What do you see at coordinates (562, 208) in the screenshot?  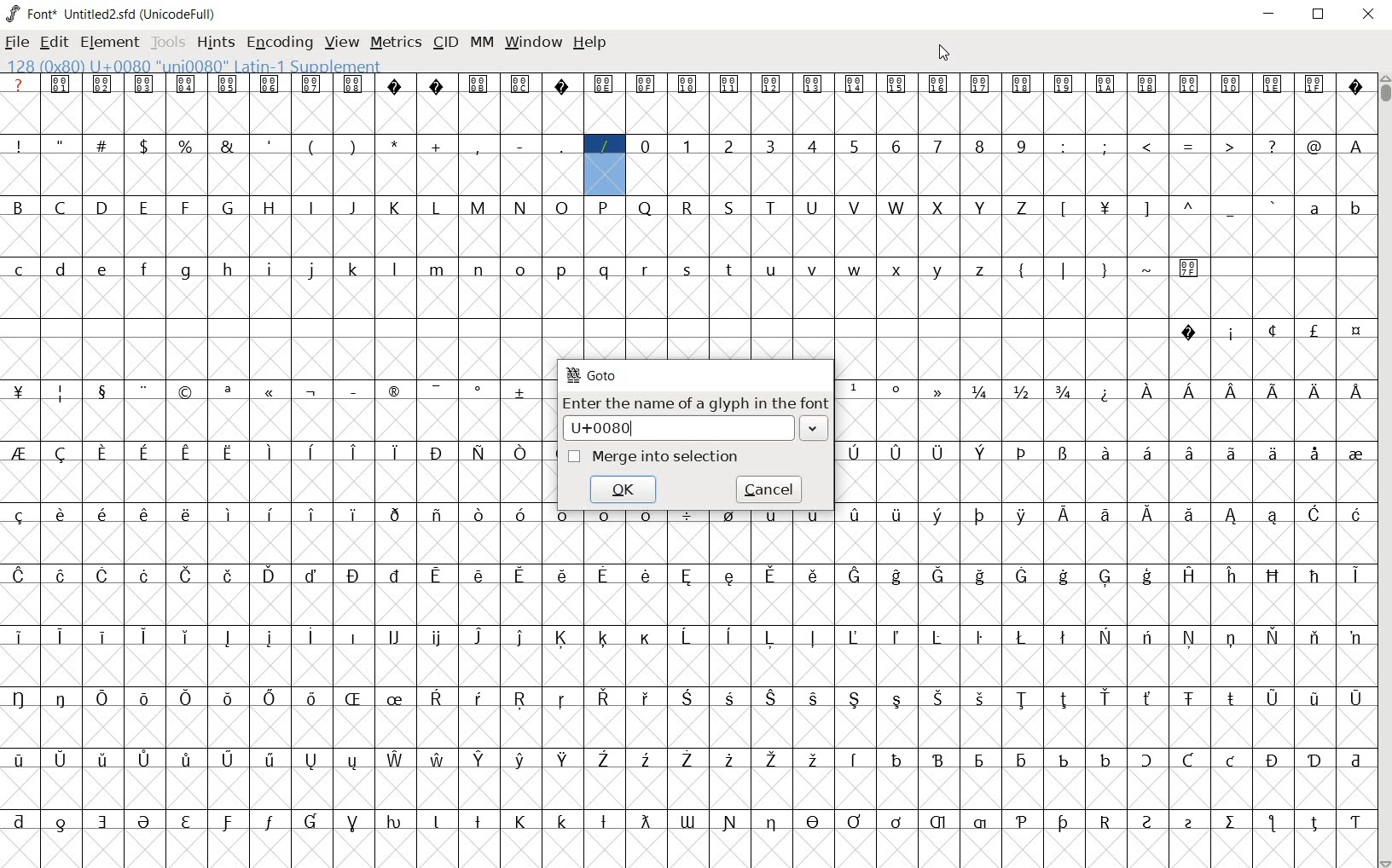 I see `glyph` at bounding box center [562, 208].